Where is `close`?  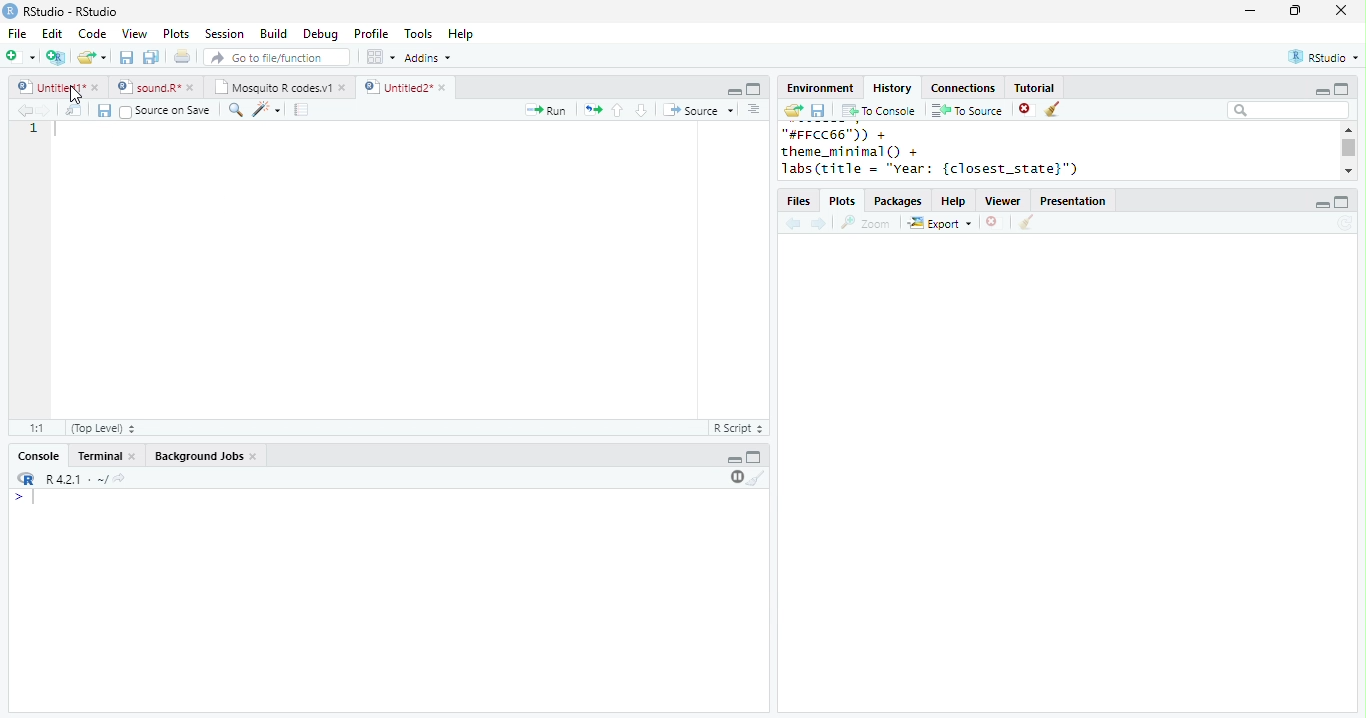 close is located at coordinates (344, 87).